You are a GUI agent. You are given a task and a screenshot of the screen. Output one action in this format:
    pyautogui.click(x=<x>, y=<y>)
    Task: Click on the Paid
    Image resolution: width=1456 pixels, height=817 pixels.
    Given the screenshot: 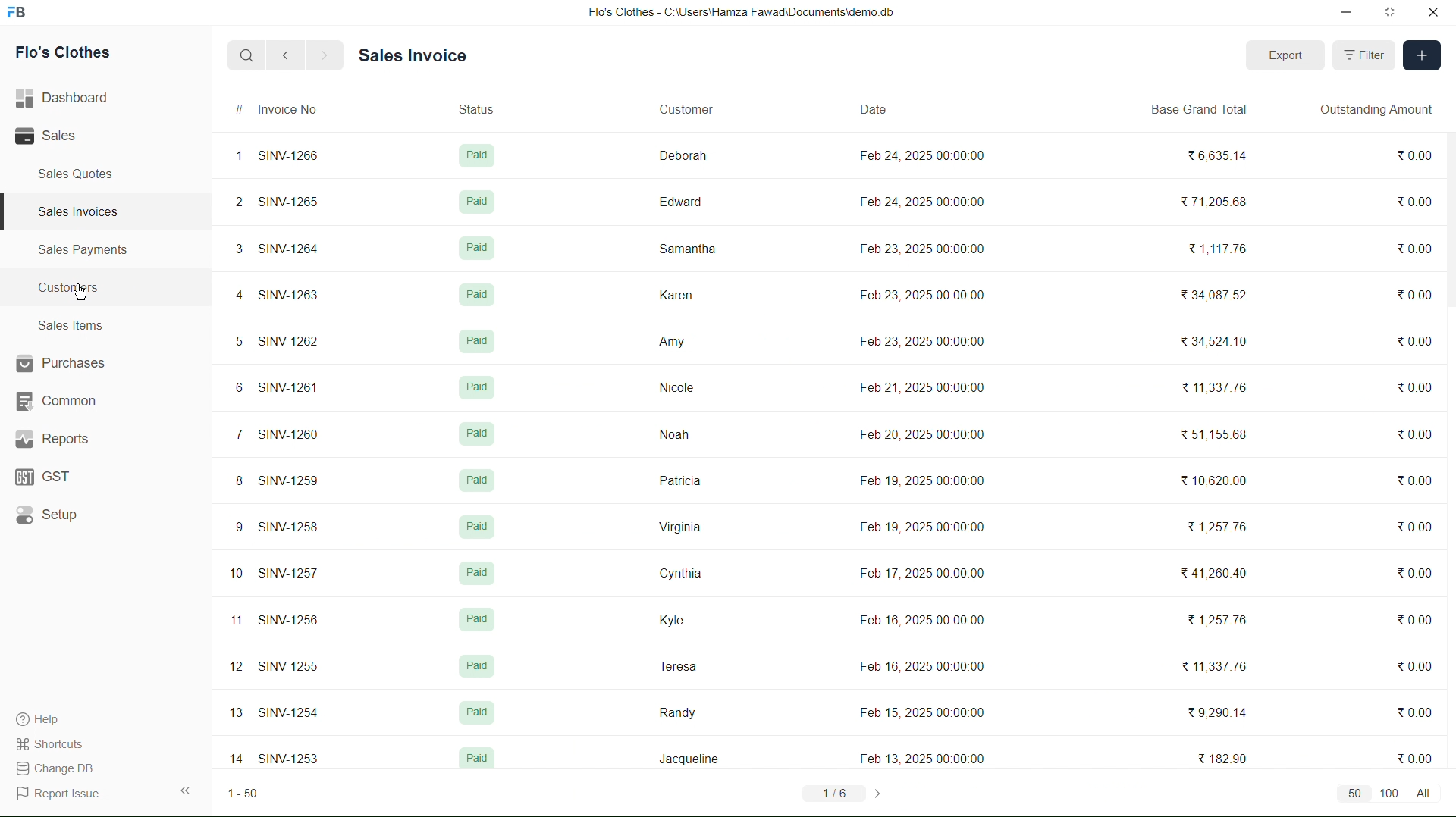 What is the action you would take?
    pyautogui.click(x=475, y=202)
    